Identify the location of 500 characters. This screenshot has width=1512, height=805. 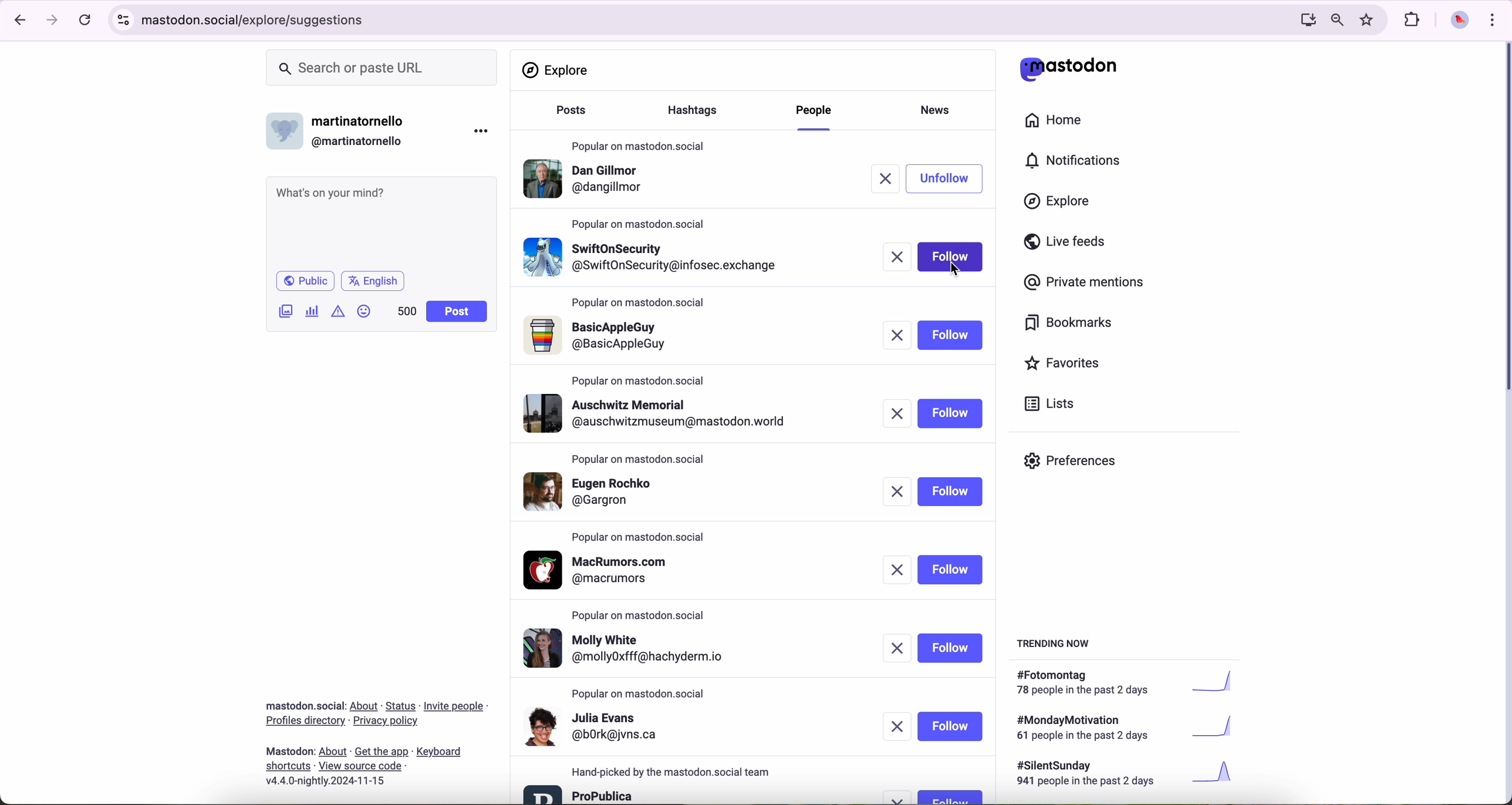
(406, 311).